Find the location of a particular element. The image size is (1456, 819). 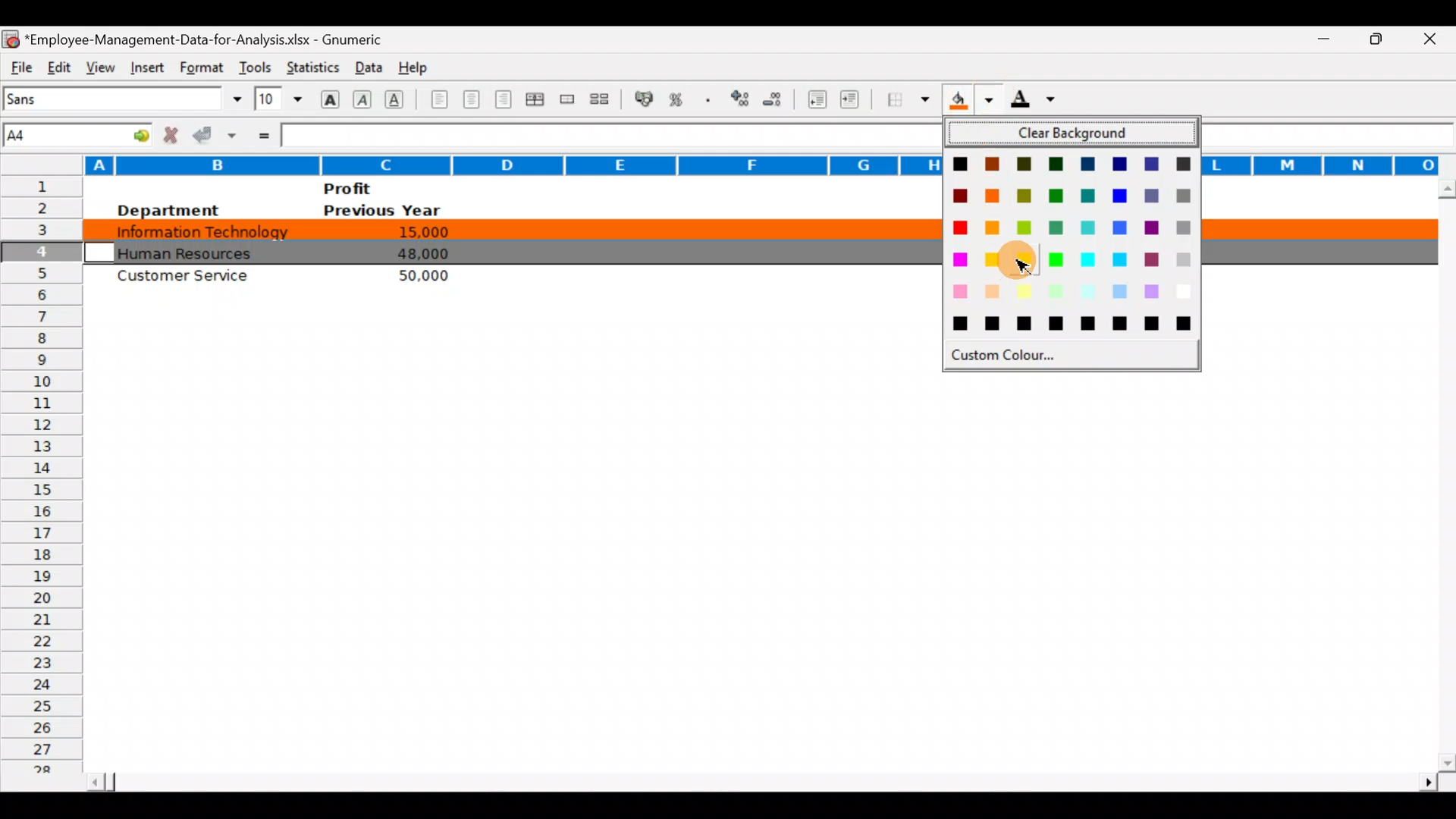

Selected row 3 of data highlighted with color is located at coordinates (511, 228).